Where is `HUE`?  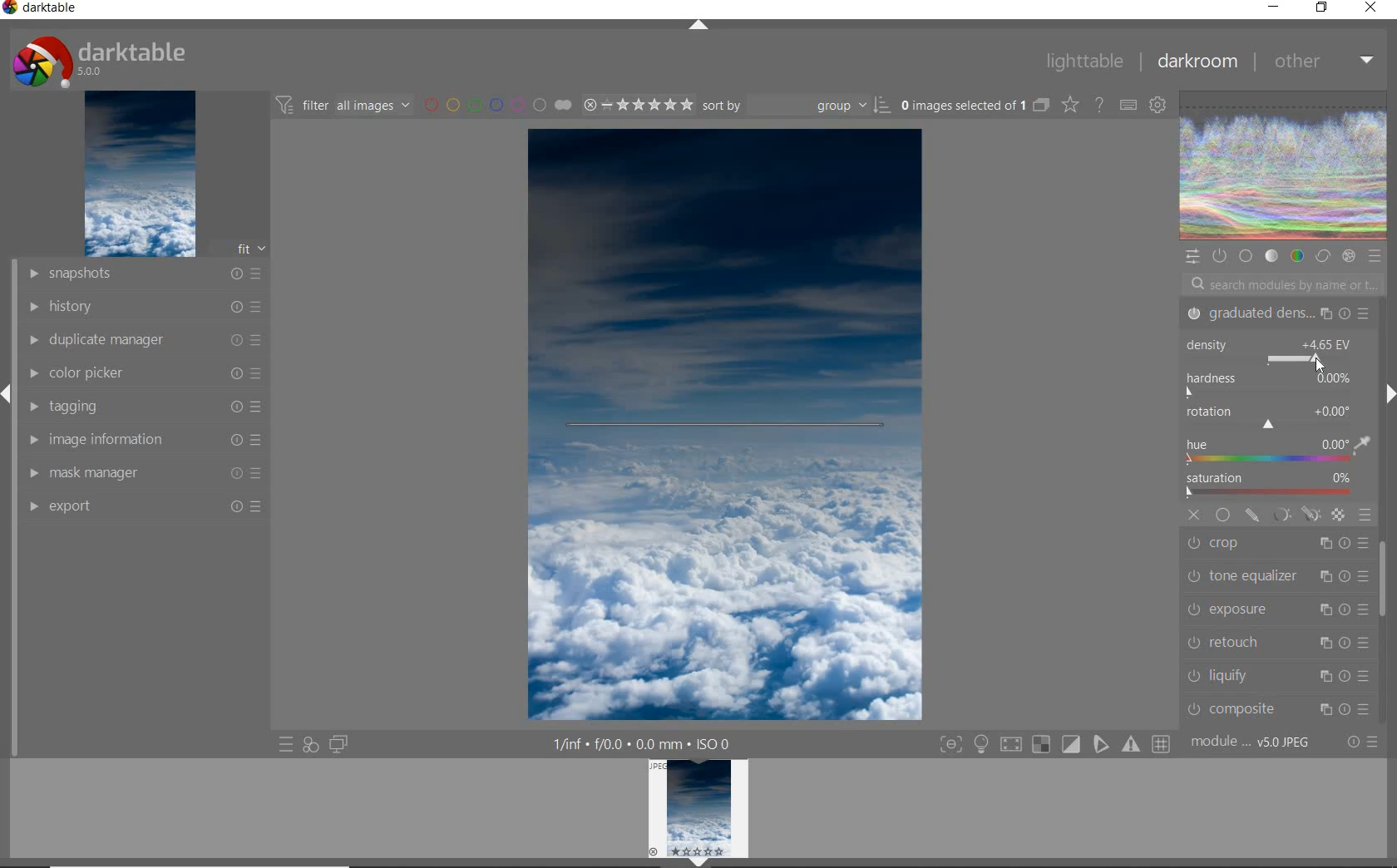
HUE is located at coordinates (1278, 452).